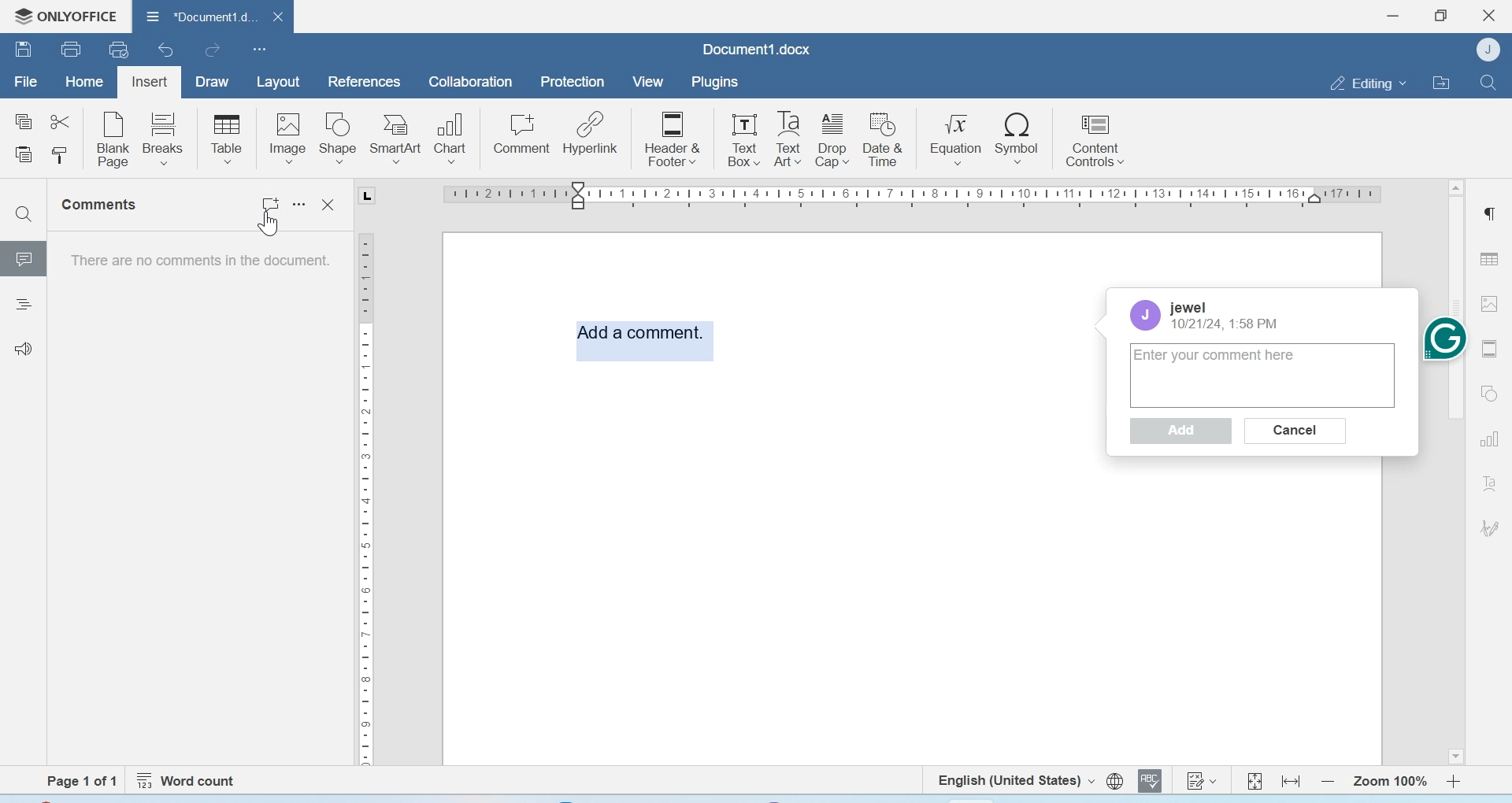  What do you see at coordinates (59, 120) in the screenshot?
I see `Cut` at bounding box center [59, 120].